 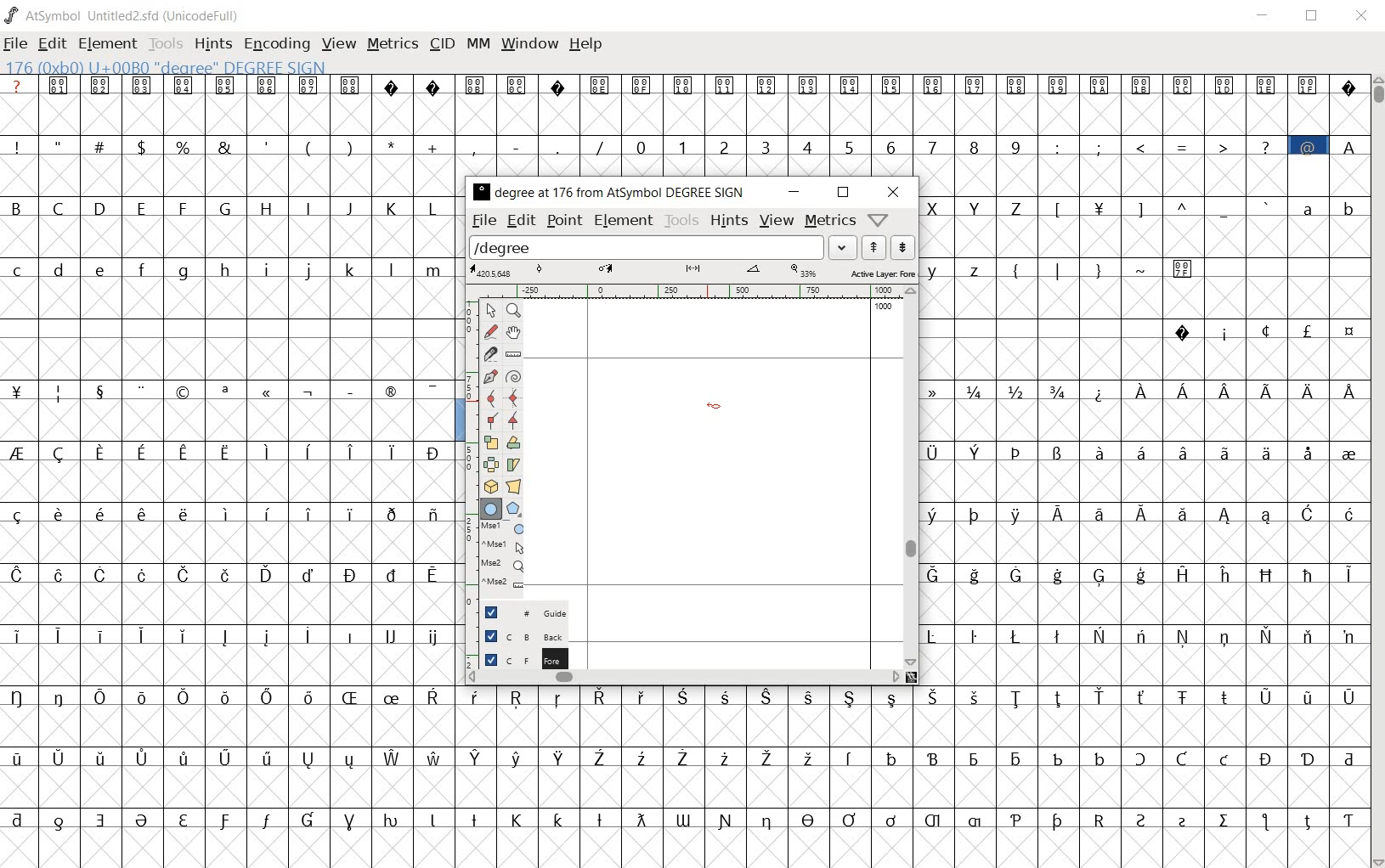 I want to click on point, so click(x=562, y=221).